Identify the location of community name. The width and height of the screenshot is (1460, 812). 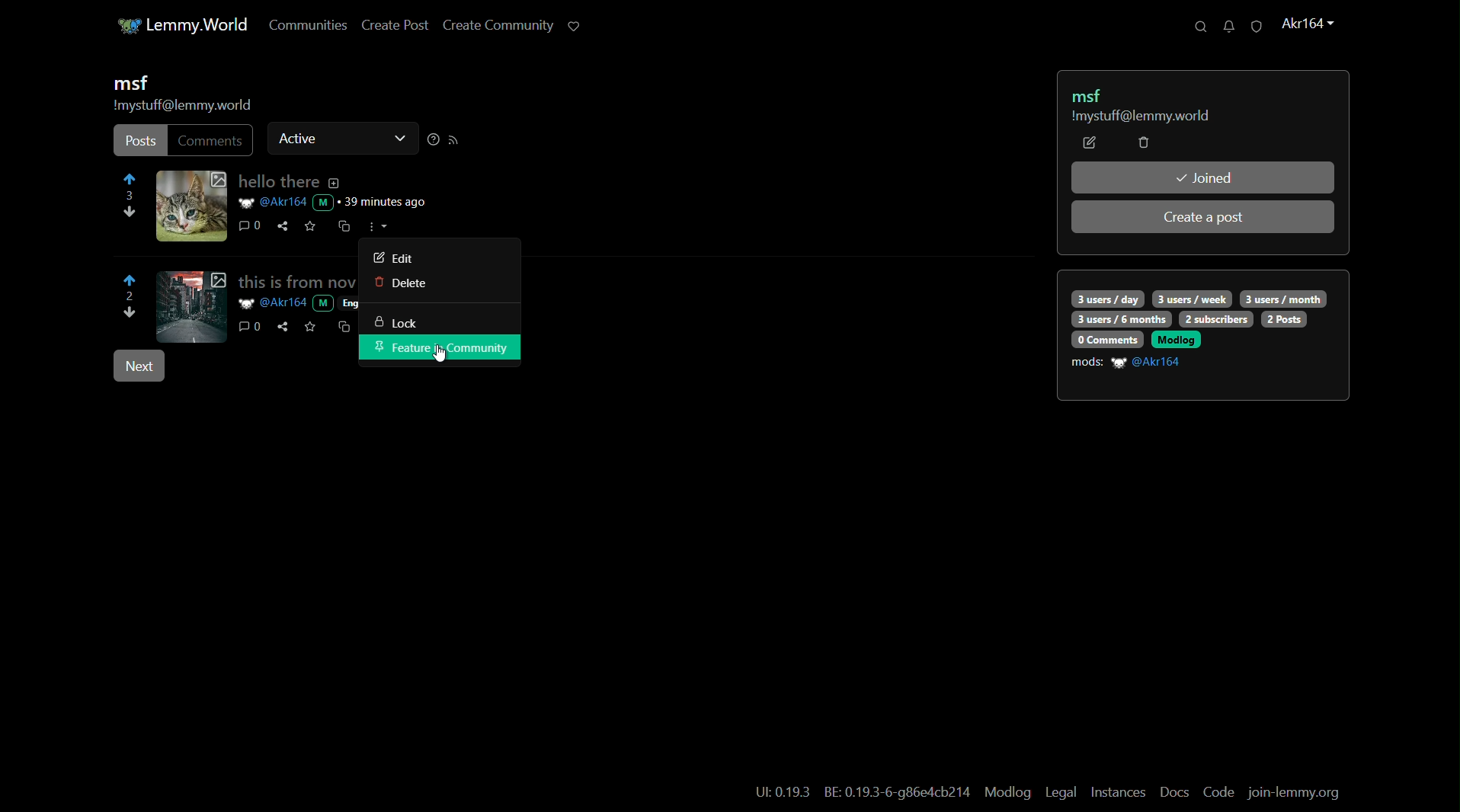
(130, 84).